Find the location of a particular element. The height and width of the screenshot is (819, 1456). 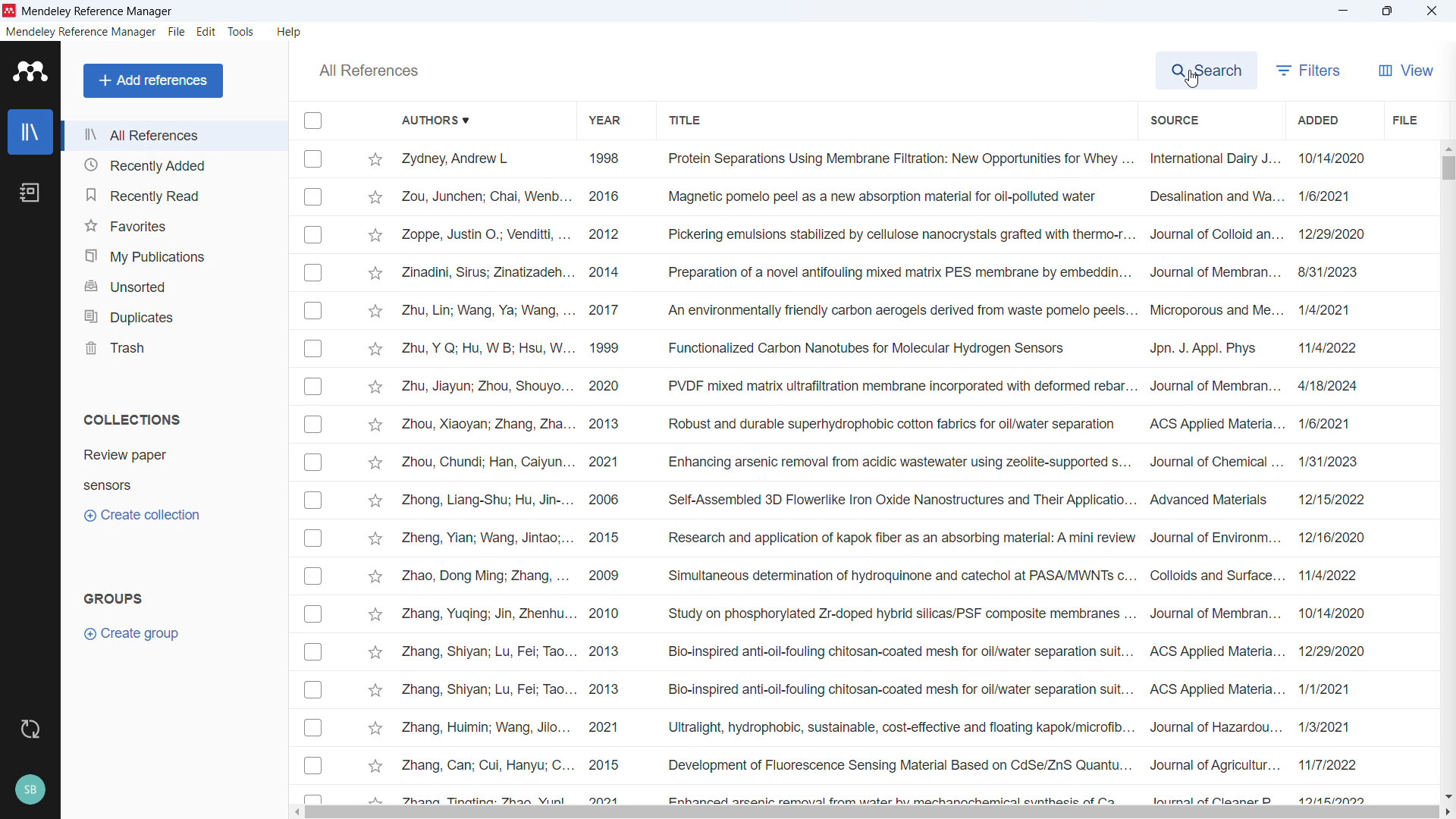

add references is located at coordinates (153, 80).